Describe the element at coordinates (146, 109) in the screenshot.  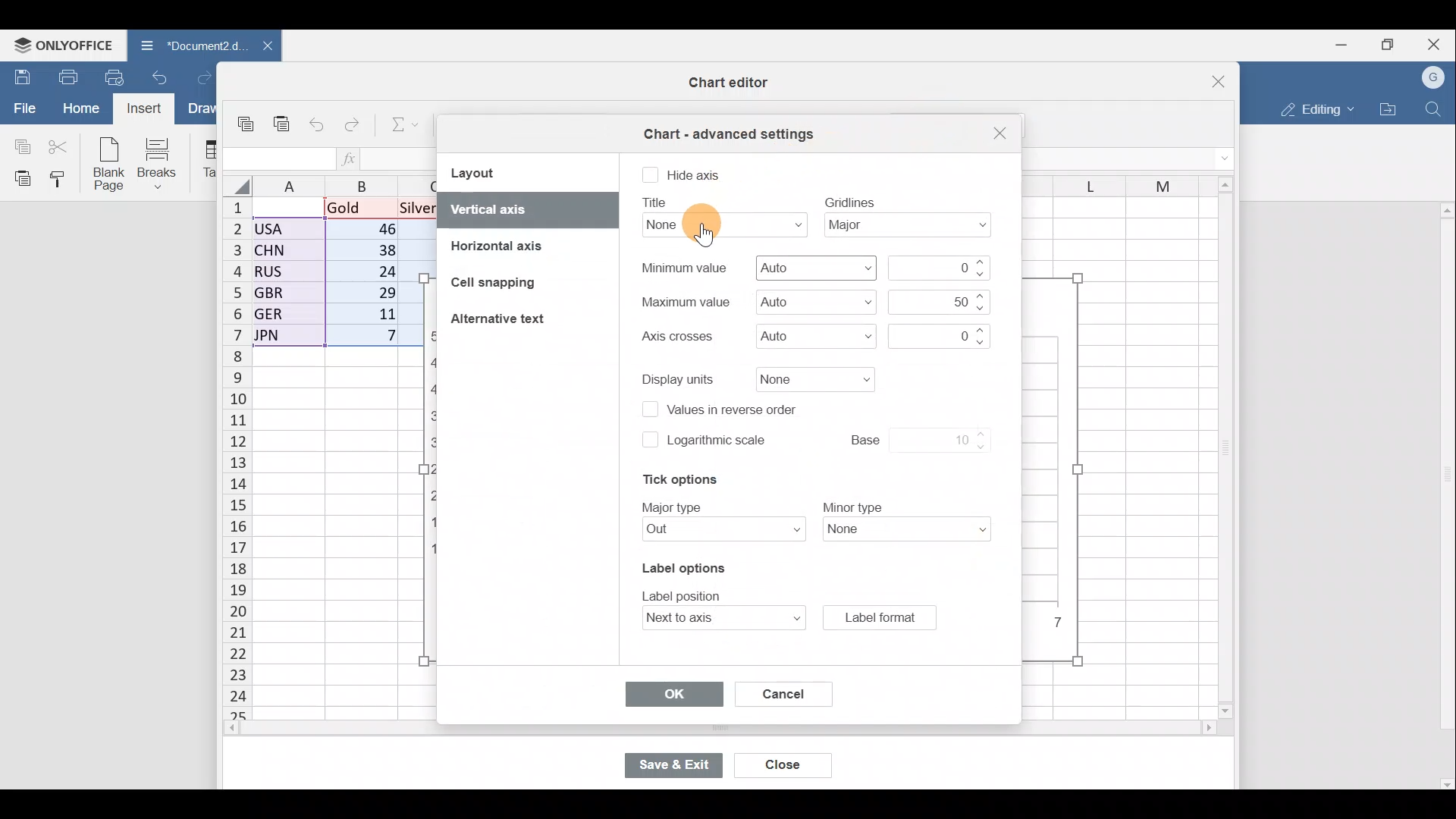
I see `Cursor on Insert` at that location.